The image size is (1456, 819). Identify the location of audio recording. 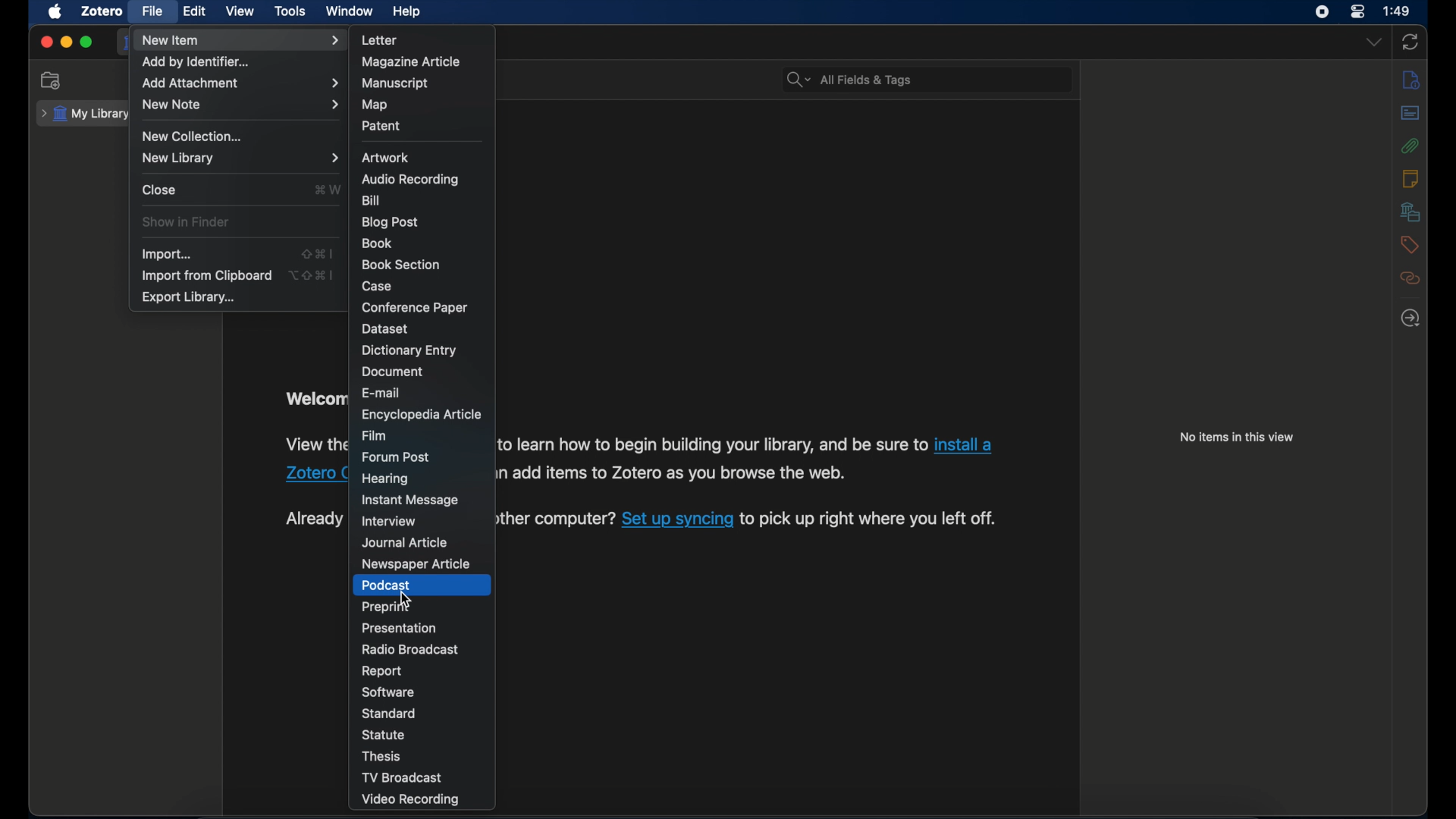
(413, 180).